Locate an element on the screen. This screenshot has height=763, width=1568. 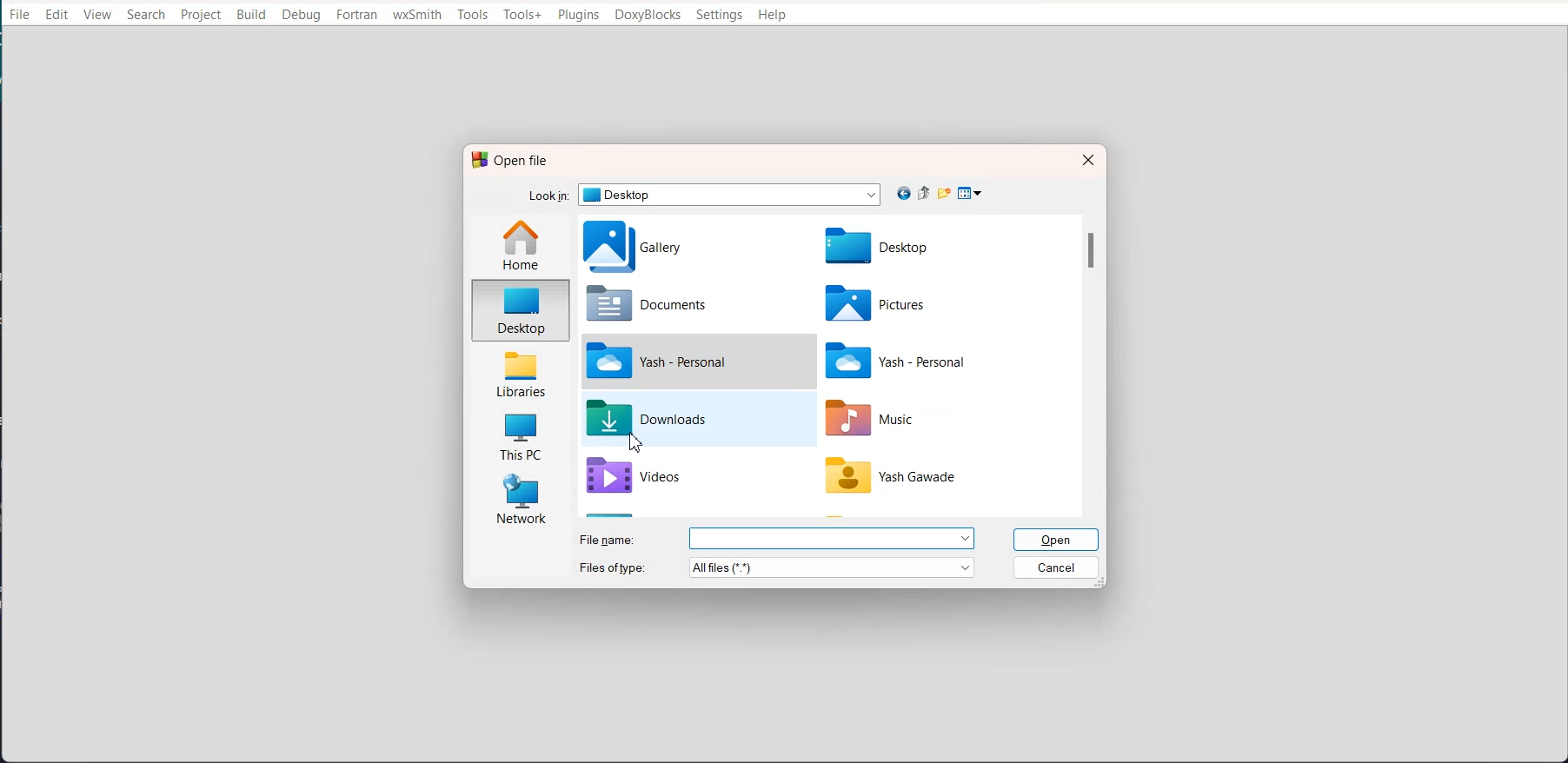
Music is located at coordinates (902, 421).